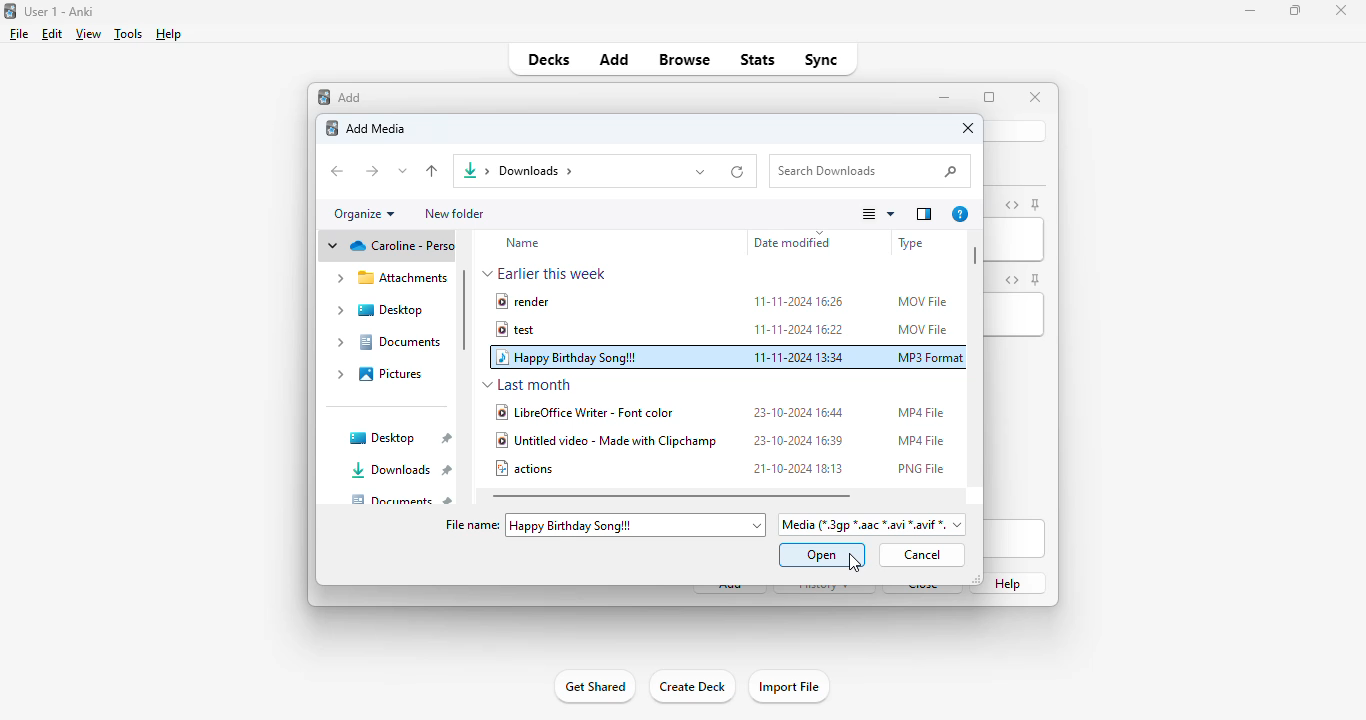 The width and height of the screenshot is (1366, 720). Describe the element at coordinates (401, 498) in the screenshot. I see `documents` at that location.